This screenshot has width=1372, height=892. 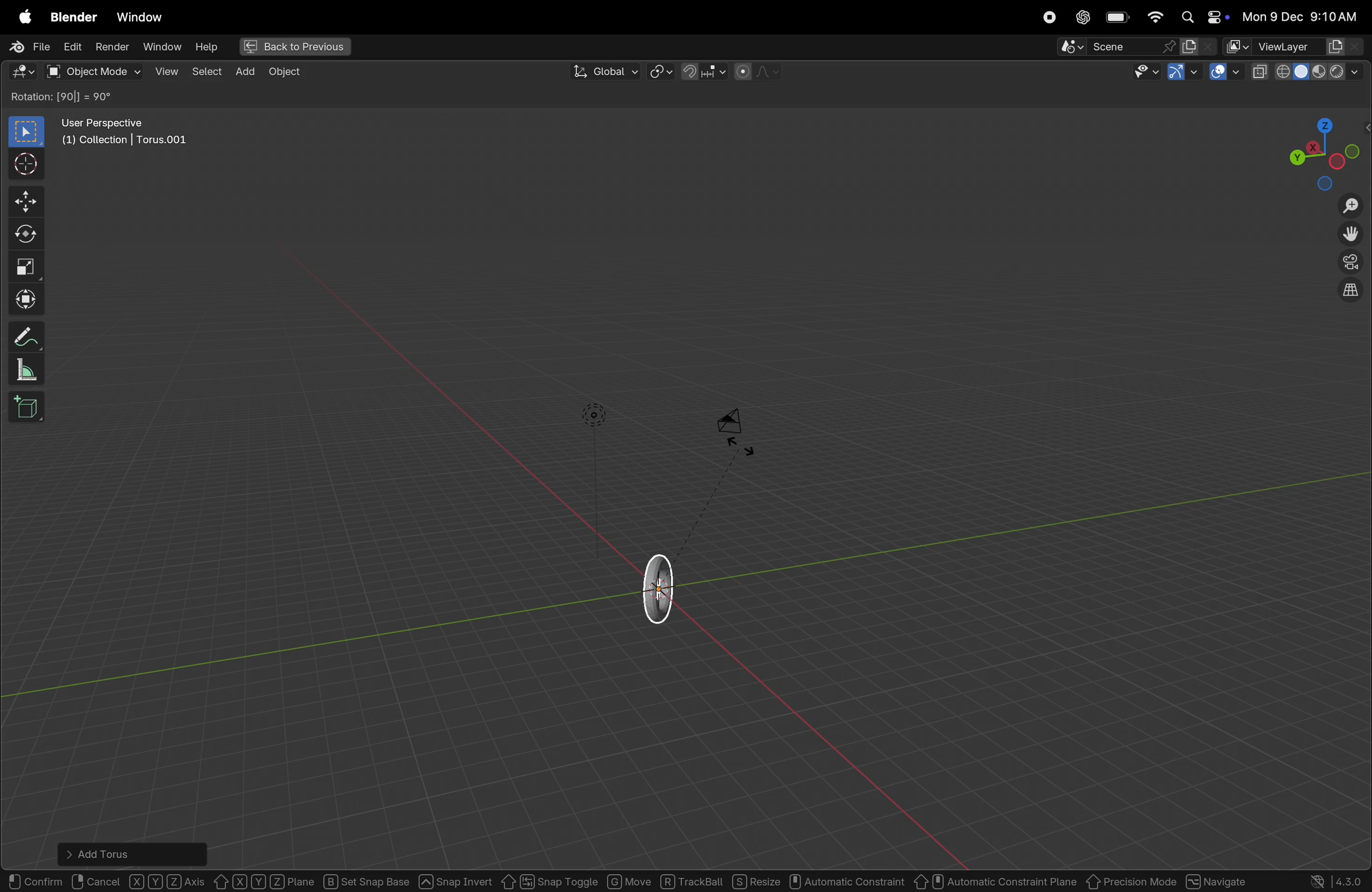 What do you see at coordinates (1335, 97) in the screenshot?
I see `options` at bounding box center [1335, 97].